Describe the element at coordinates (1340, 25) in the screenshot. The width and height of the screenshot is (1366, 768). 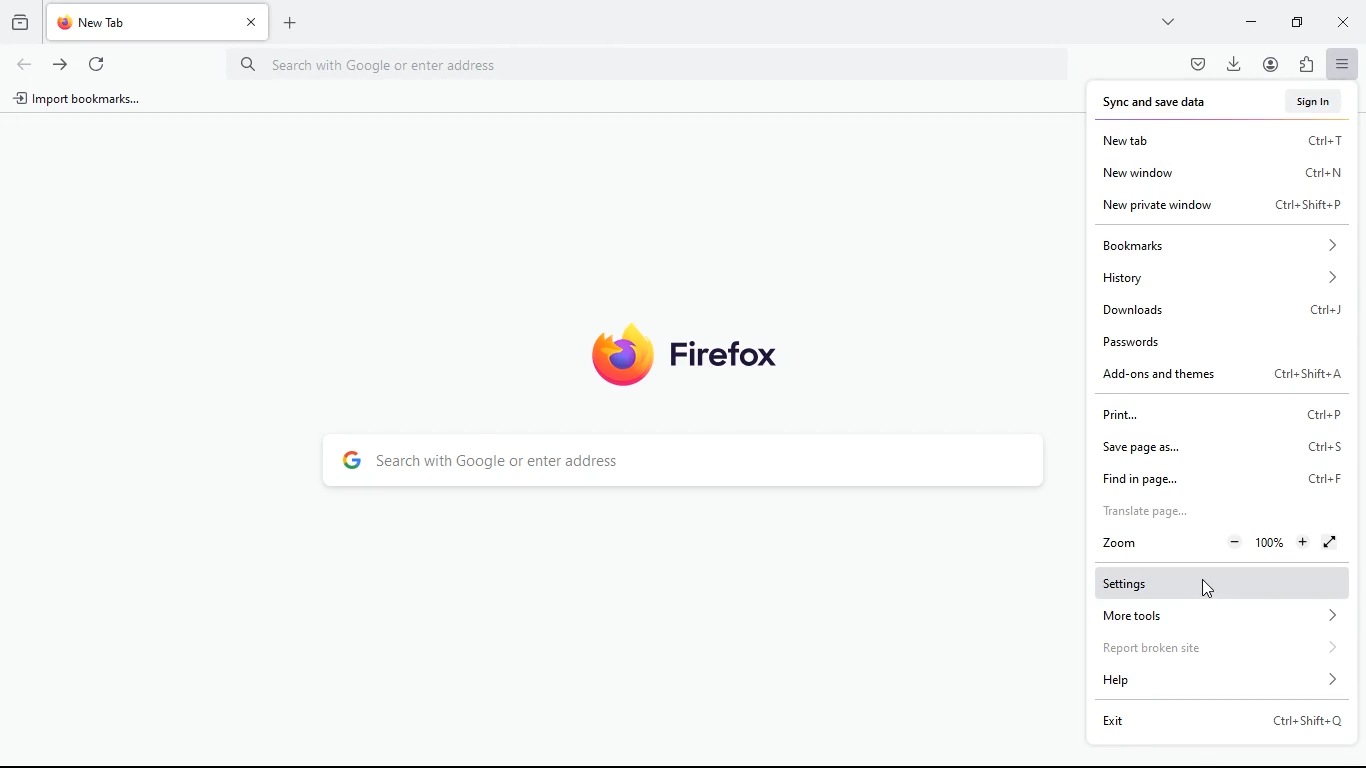
I see `close` at that location.